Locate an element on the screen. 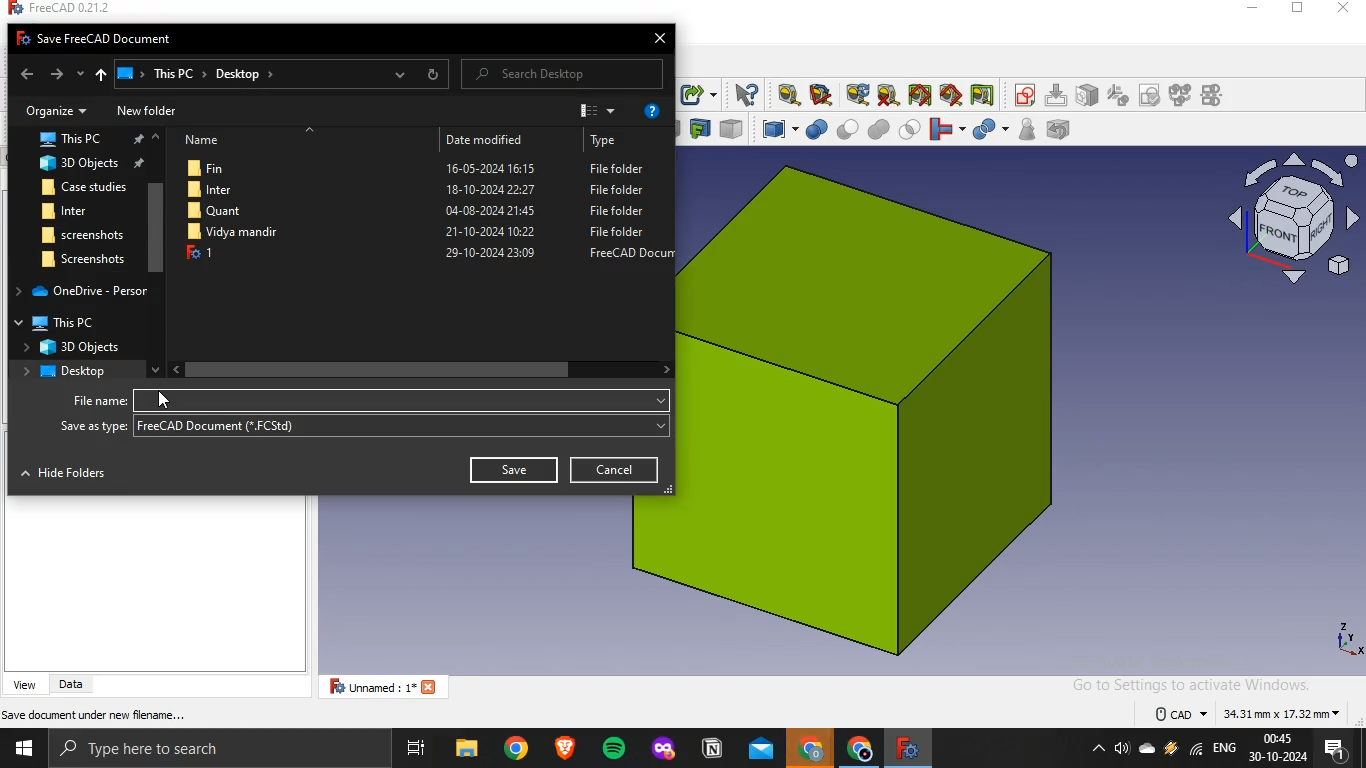  split objects is located at coordinates (989, 128).